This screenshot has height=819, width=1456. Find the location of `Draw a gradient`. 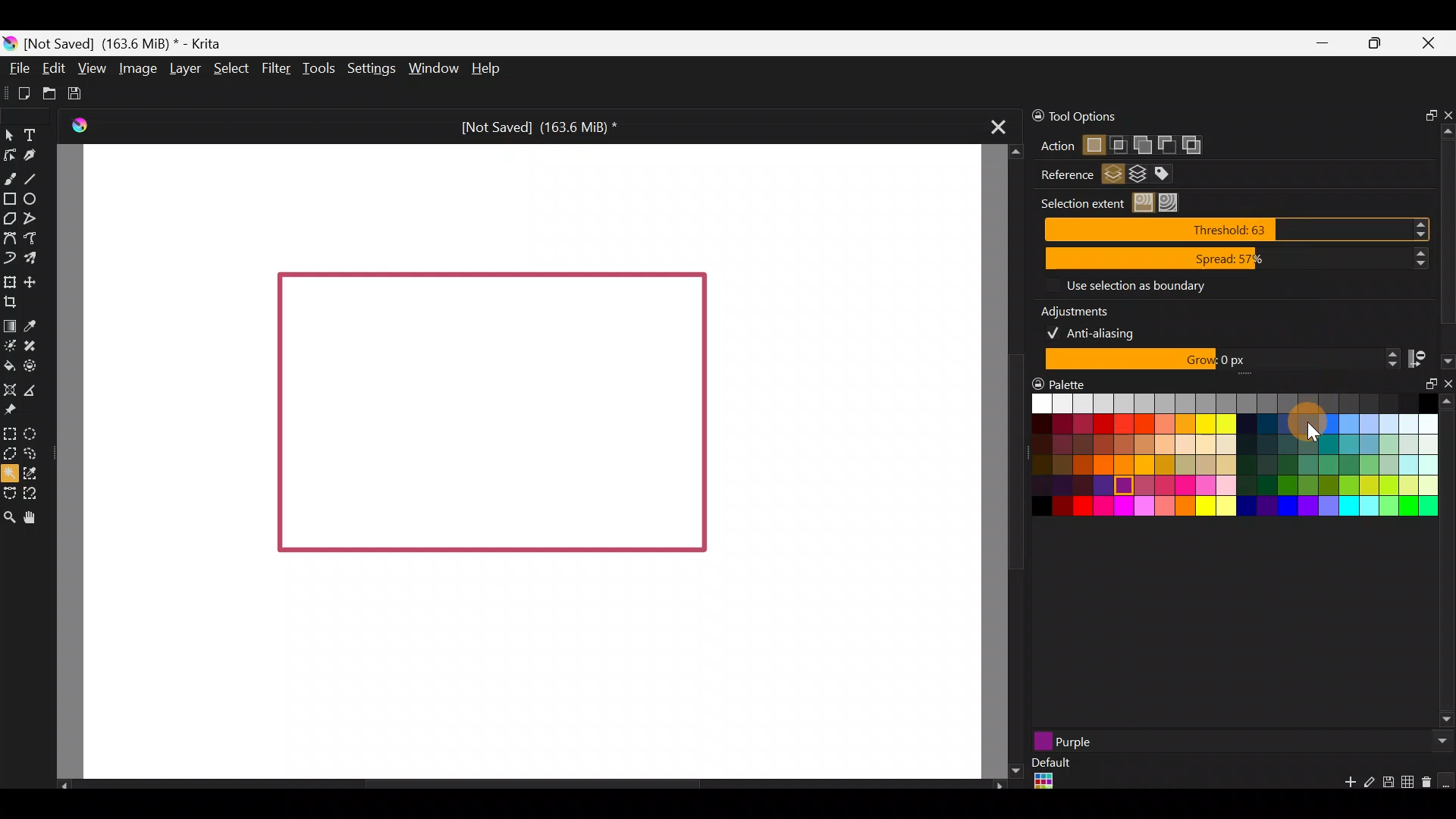

Draw a gradient is located at coordinates (10, 326).